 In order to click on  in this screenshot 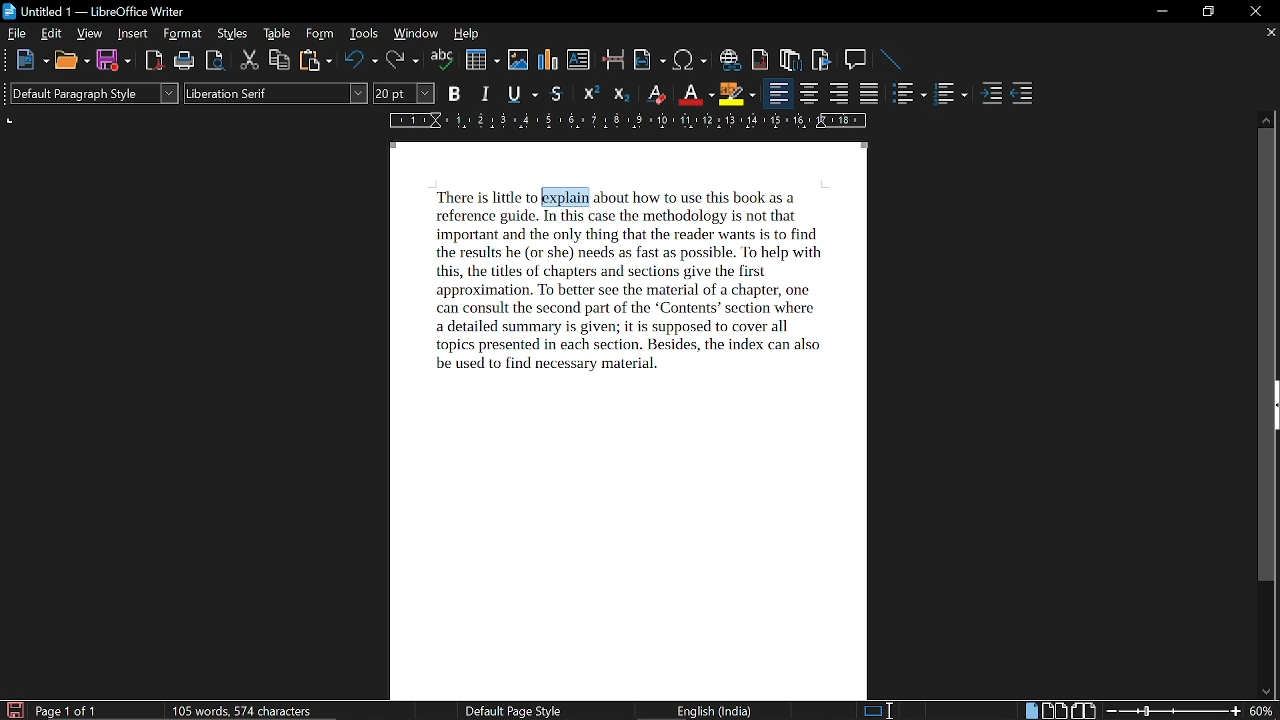, I will do `click(8, 60)`.